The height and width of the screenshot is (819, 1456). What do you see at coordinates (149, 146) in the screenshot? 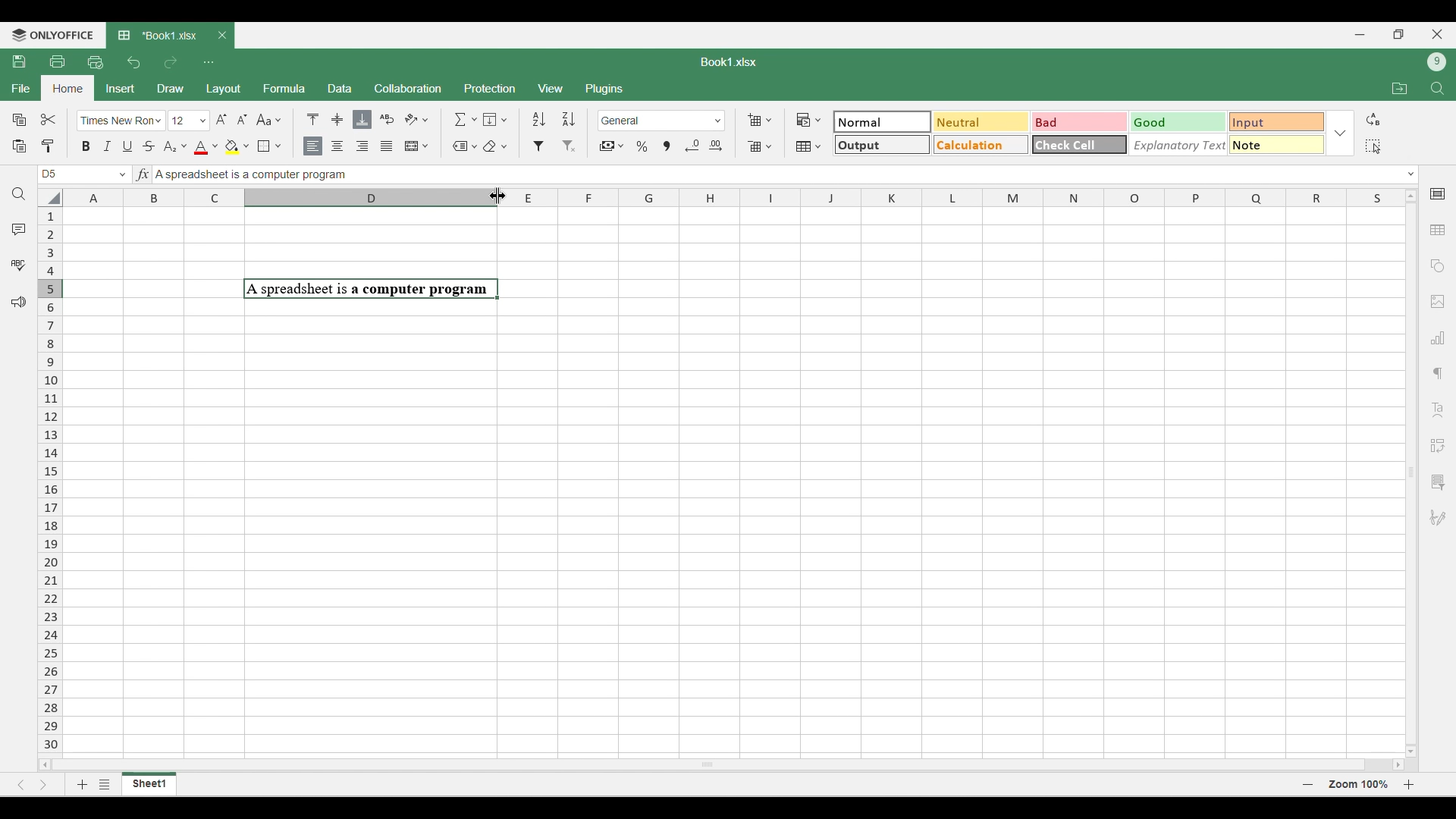
I see `Strike through ` at bounding box center [149, 146].